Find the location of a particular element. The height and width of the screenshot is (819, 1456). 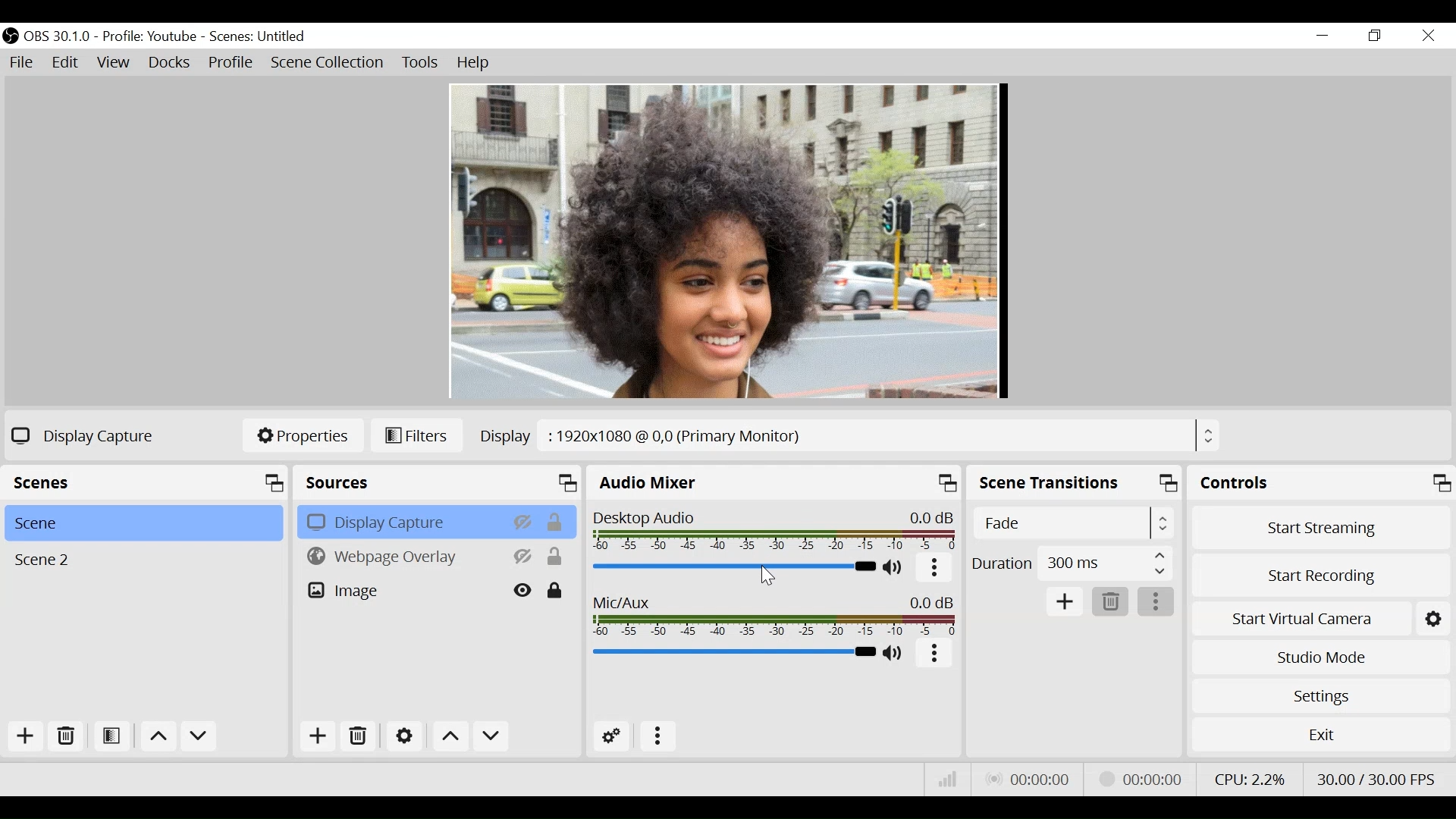

(un)lock is located at coordinates (558, 522).